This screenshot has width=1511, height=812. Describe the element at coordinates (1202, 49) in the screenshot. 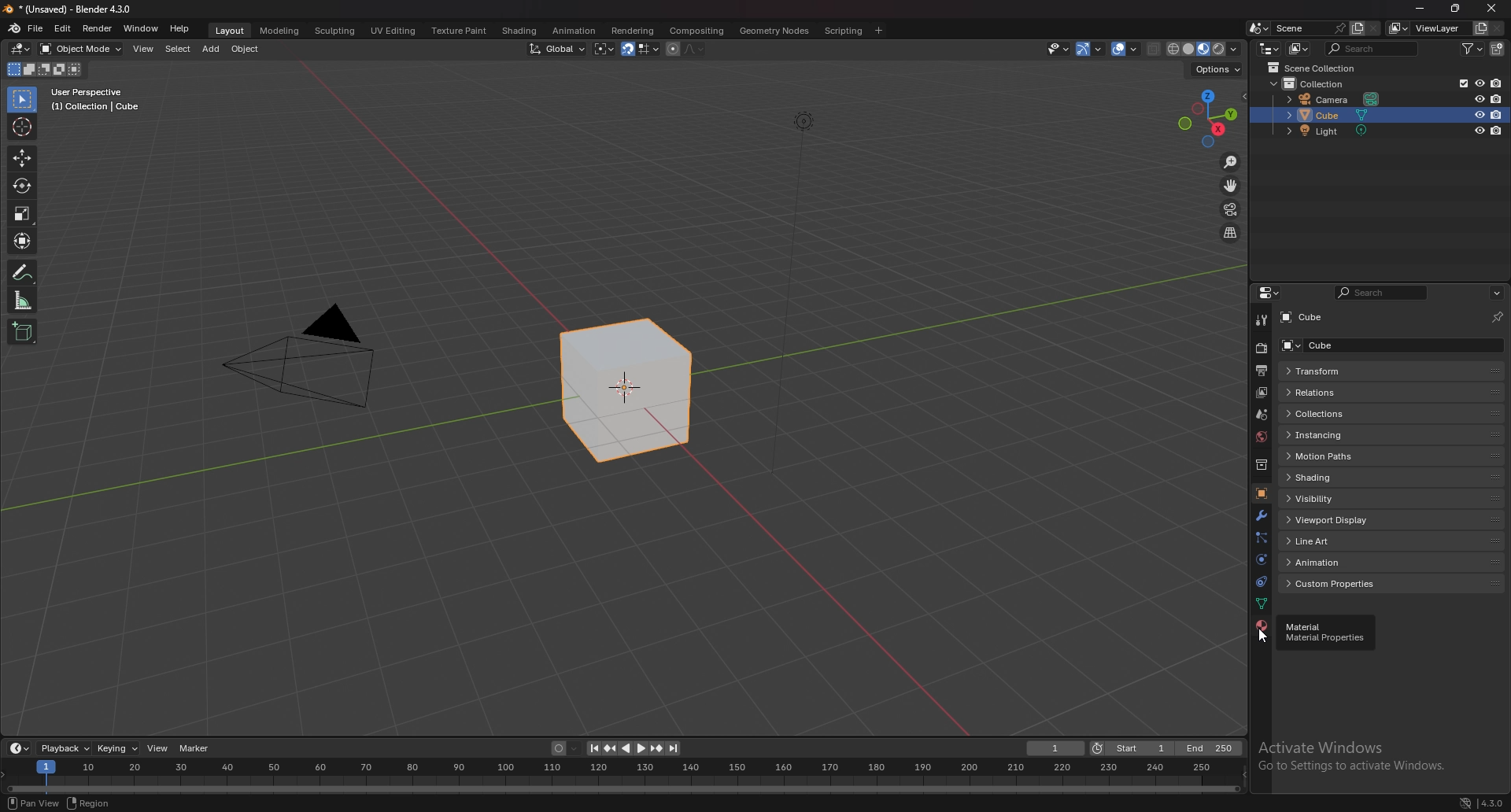

I see `viewport shading` at that location.